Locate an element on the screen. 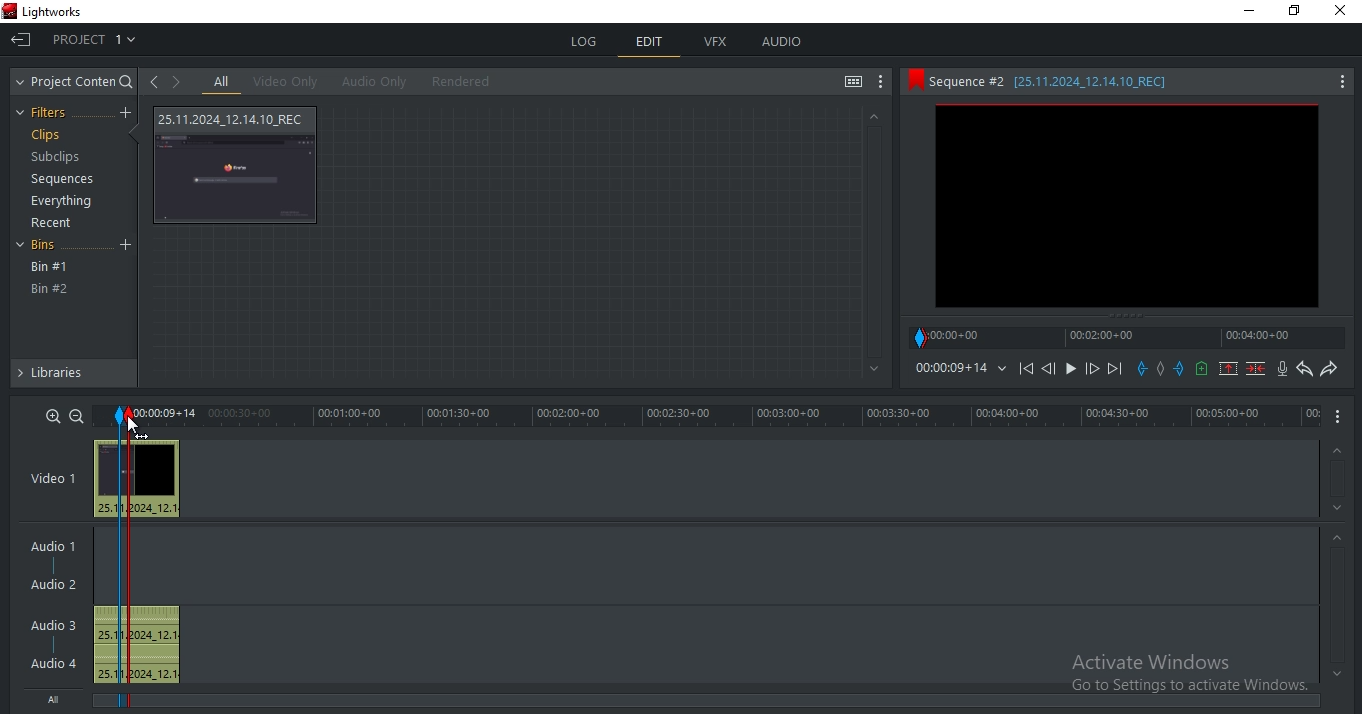  libraries is located at coordinates (72, 377).